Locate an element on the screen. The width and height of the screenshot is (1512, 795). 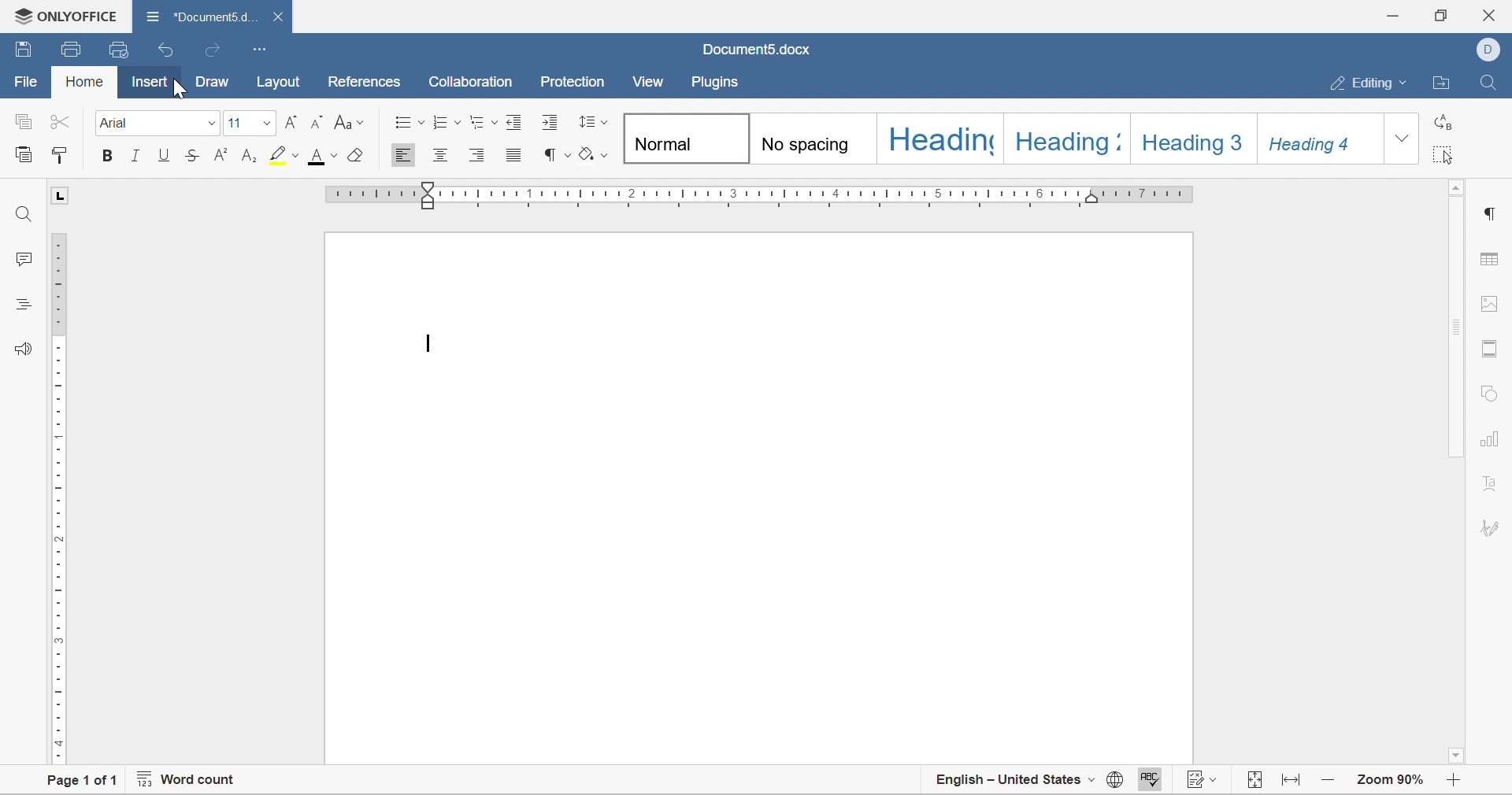
ruler is located at coordinates (755, 194).